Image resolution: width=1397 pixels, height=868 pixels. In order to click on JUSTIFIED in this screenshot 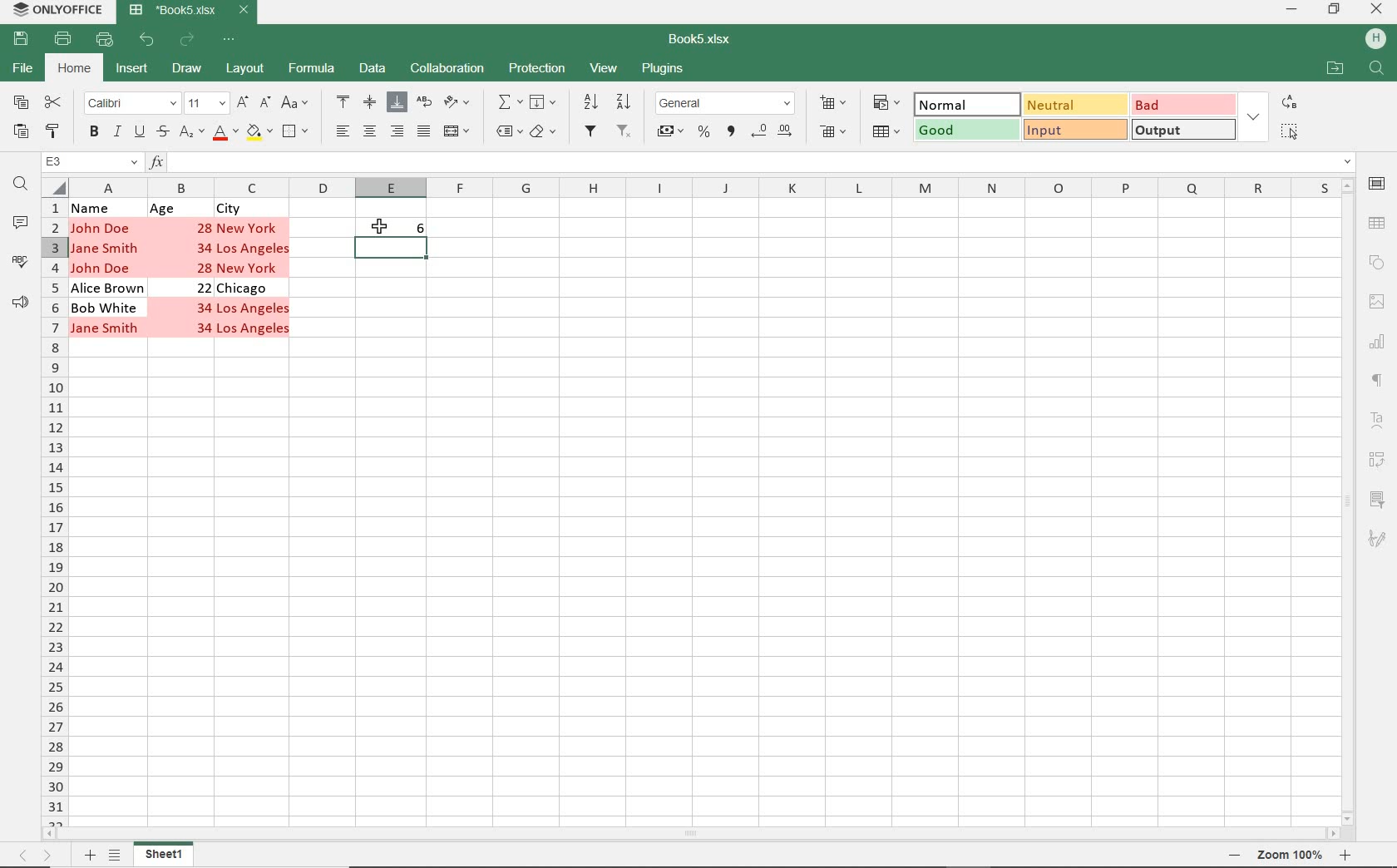, I will do `click(423, 132)`.